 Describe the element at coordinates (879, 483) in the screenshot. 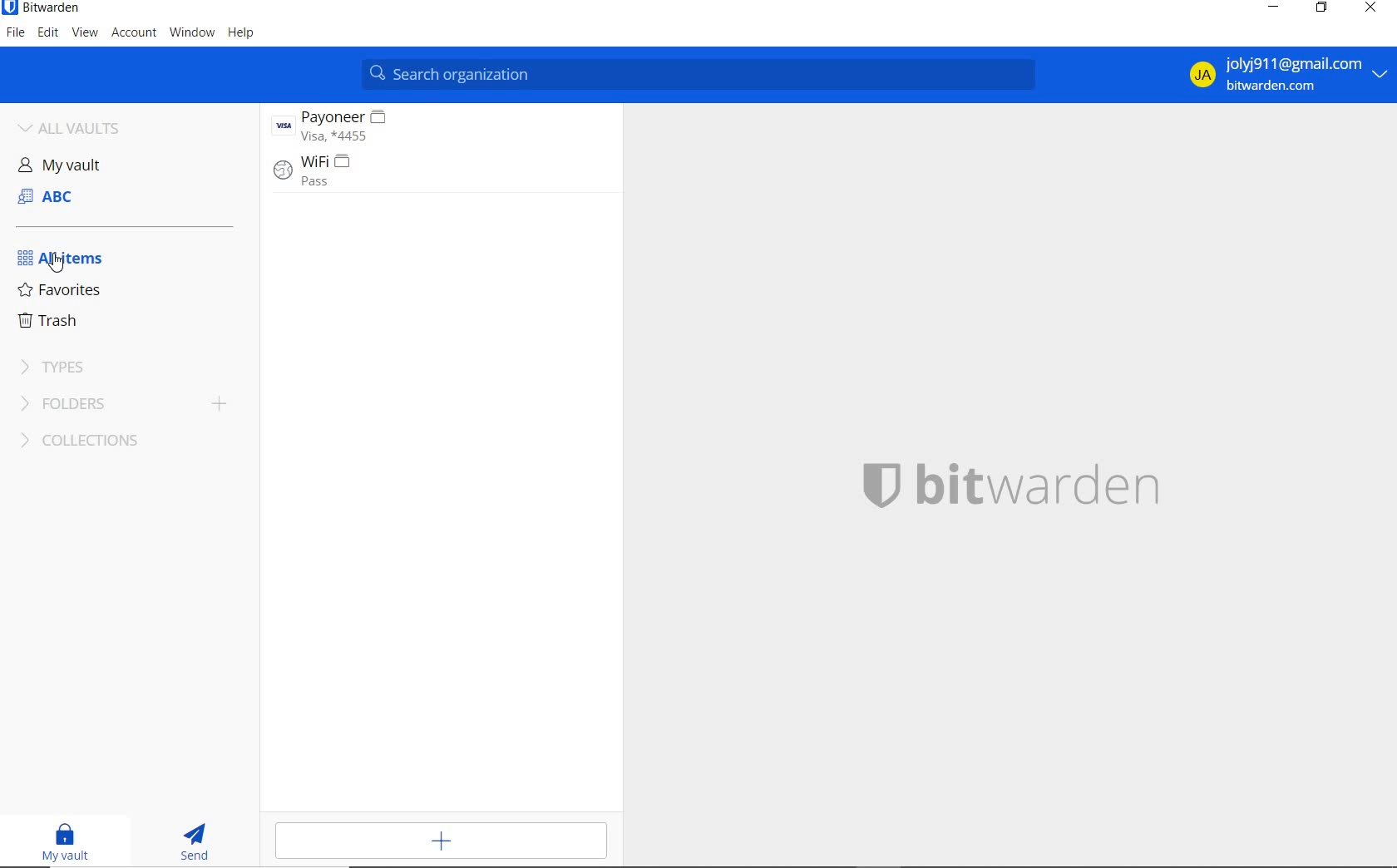

I see `Bitwarden logo` at that location.